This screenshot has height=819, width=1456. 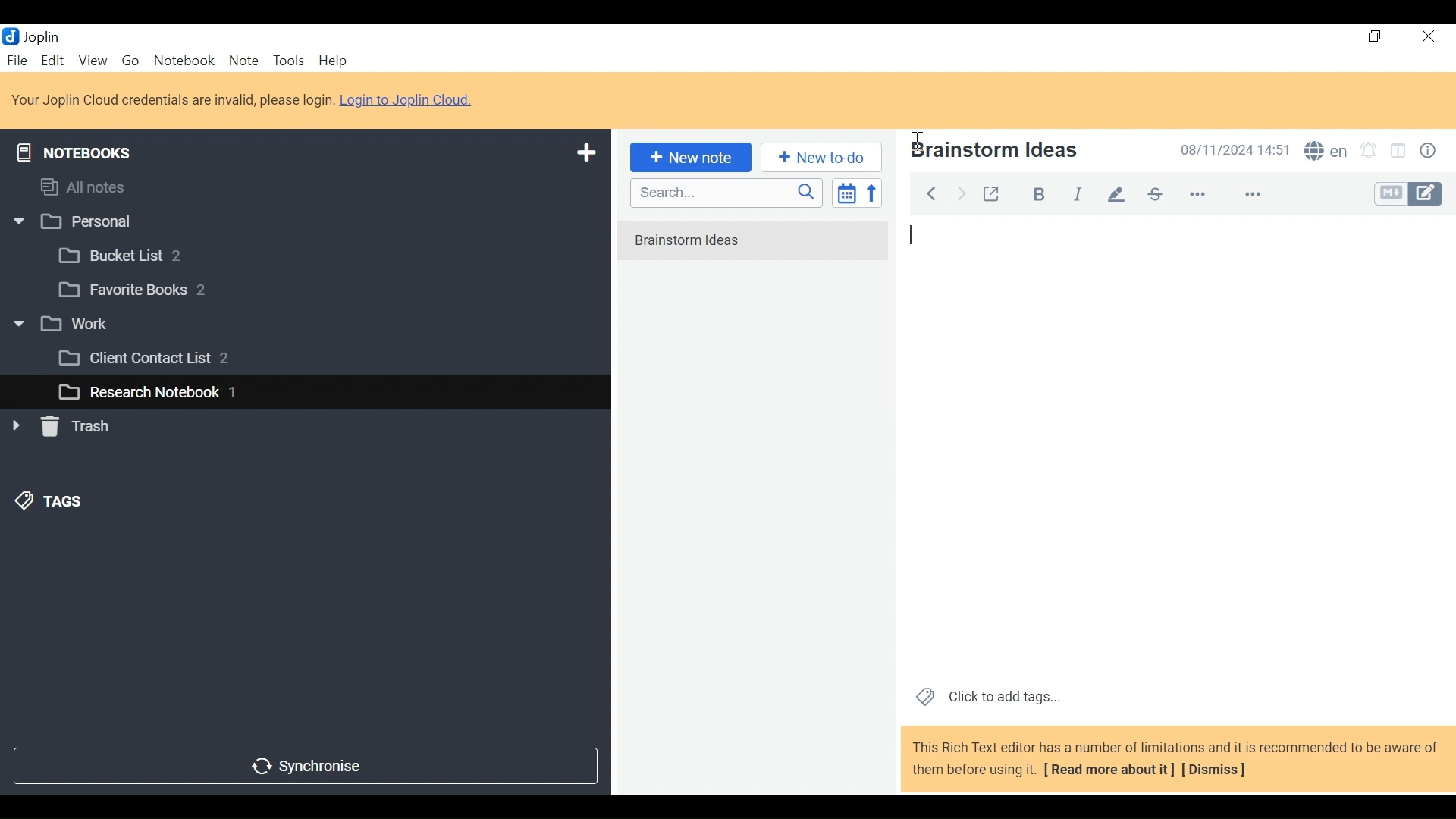 What do you see at coordinates (1321, 36) in the screenshot?
I see `Minimize` at bounding box center [1321, 36].